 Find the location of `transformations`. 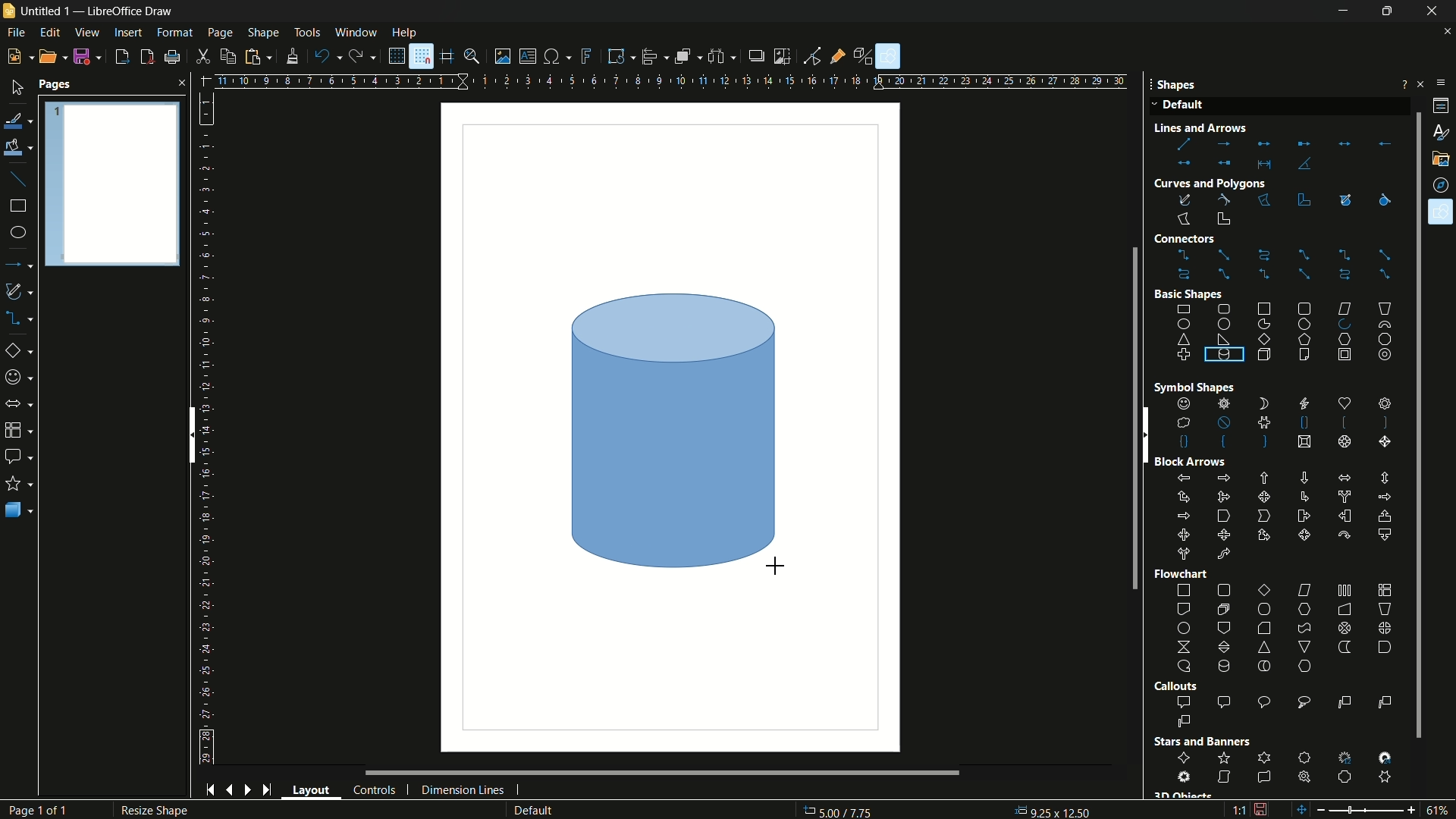

transformations is located at coordinates (620, 55).